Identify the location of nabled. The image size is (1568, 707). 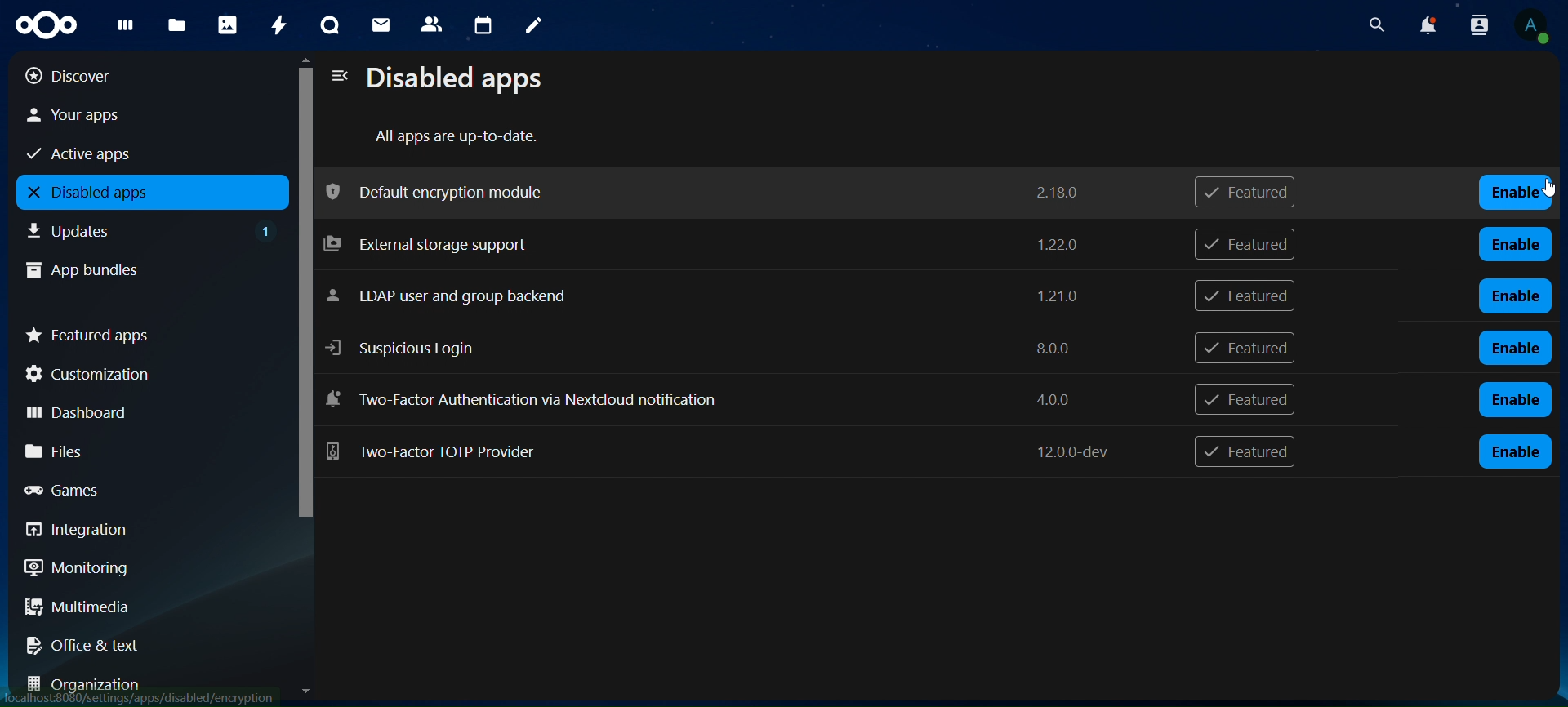
(1518, 193).